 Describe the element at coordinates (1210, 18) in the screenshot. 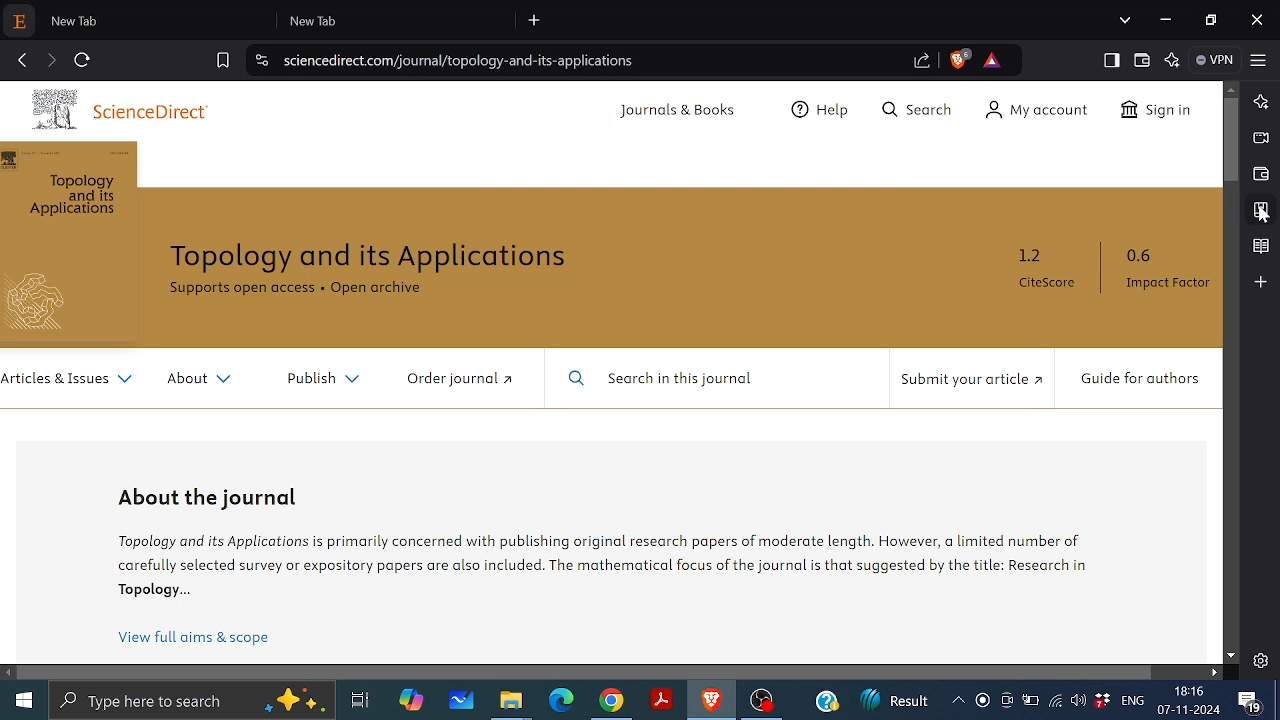

I see `Restore down` at that location.